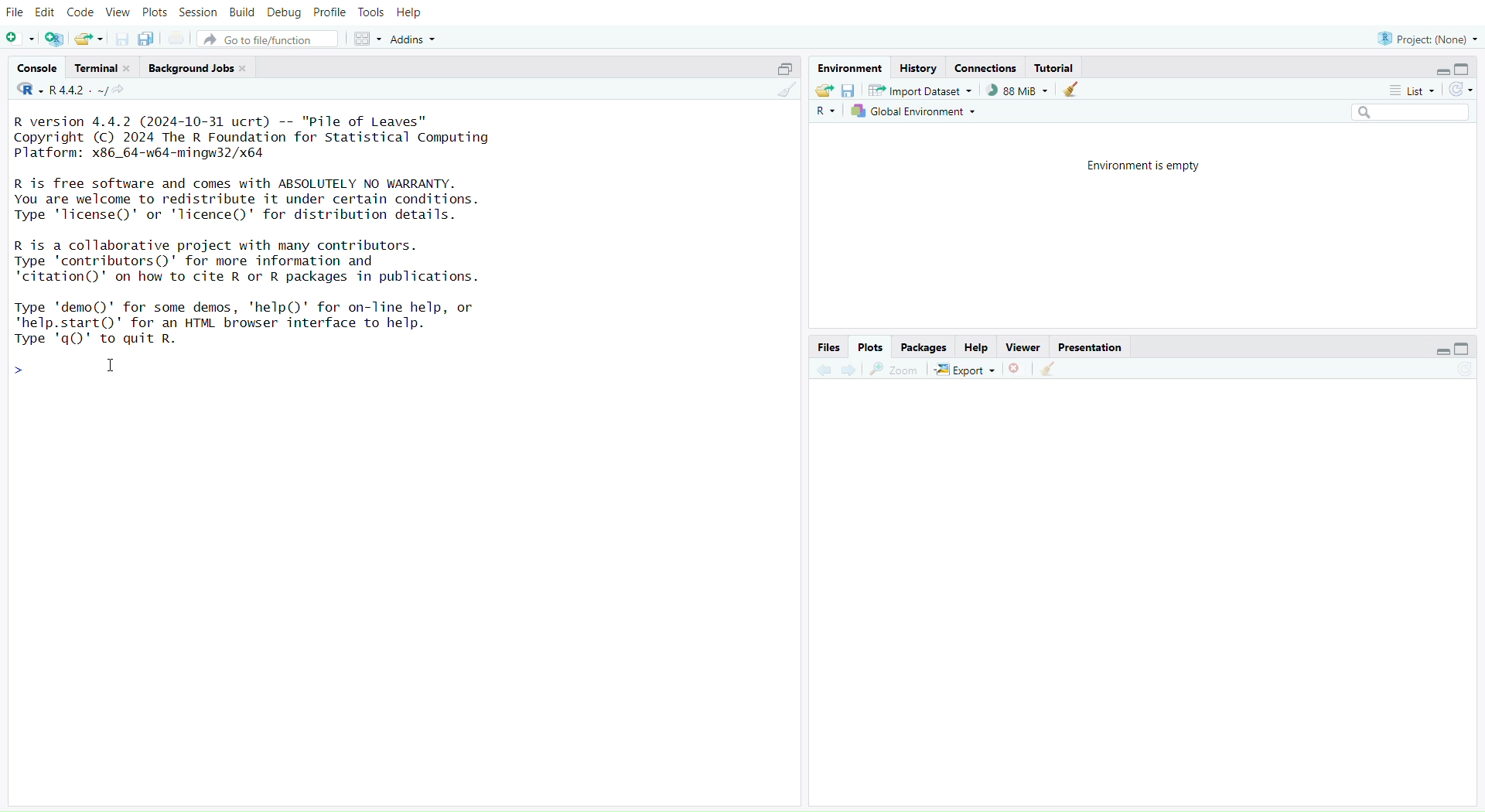 The height and width of the screenshot is (812, 1485). Describe the element at coordinates (986, 67) in the screenshot. I see `connections` at that location.